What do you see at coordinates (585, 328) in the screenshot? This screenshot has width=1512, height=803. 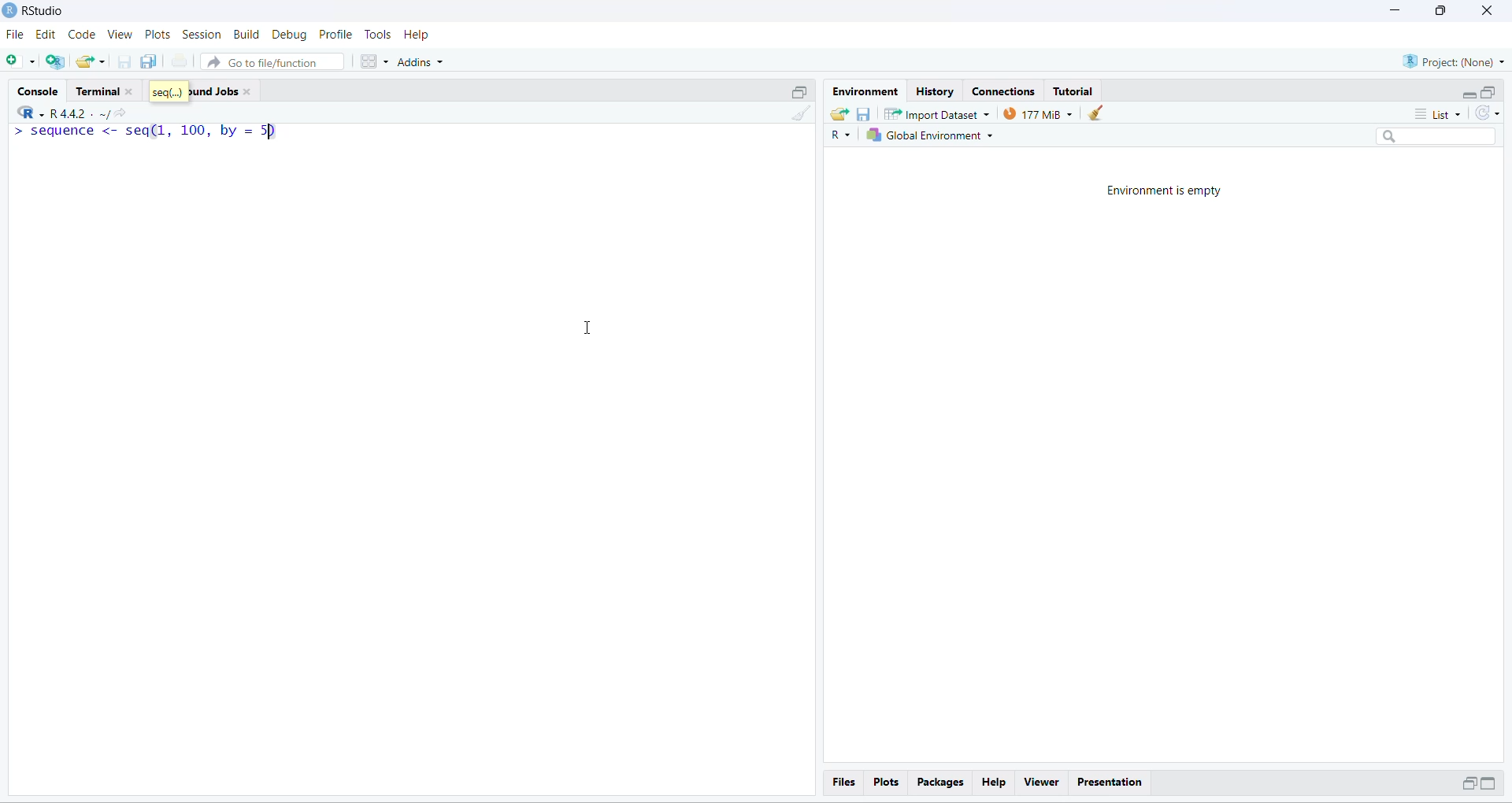 I see `cursor` at bounding box center [585, 328].